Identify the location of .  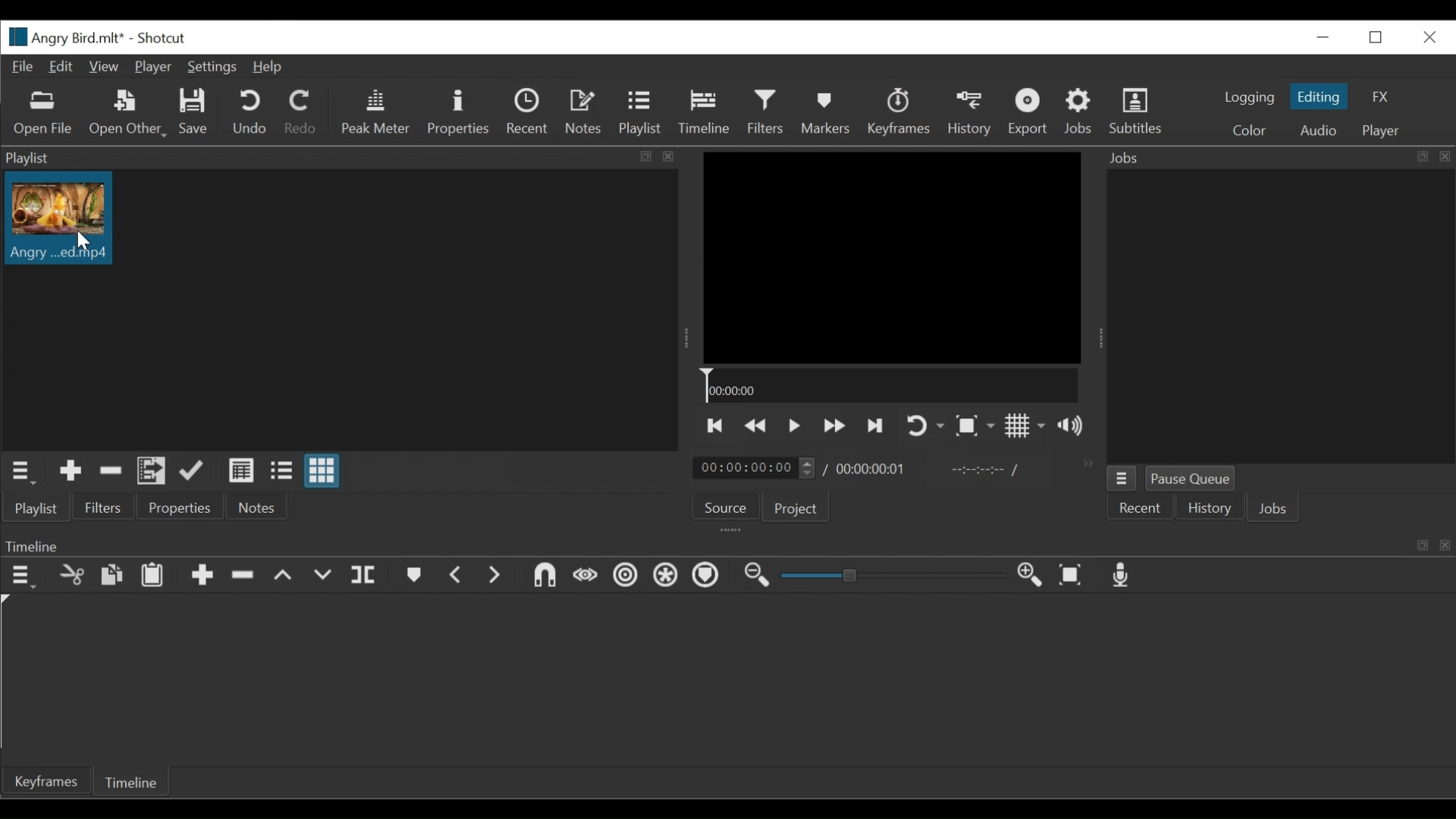
(1432, 39).